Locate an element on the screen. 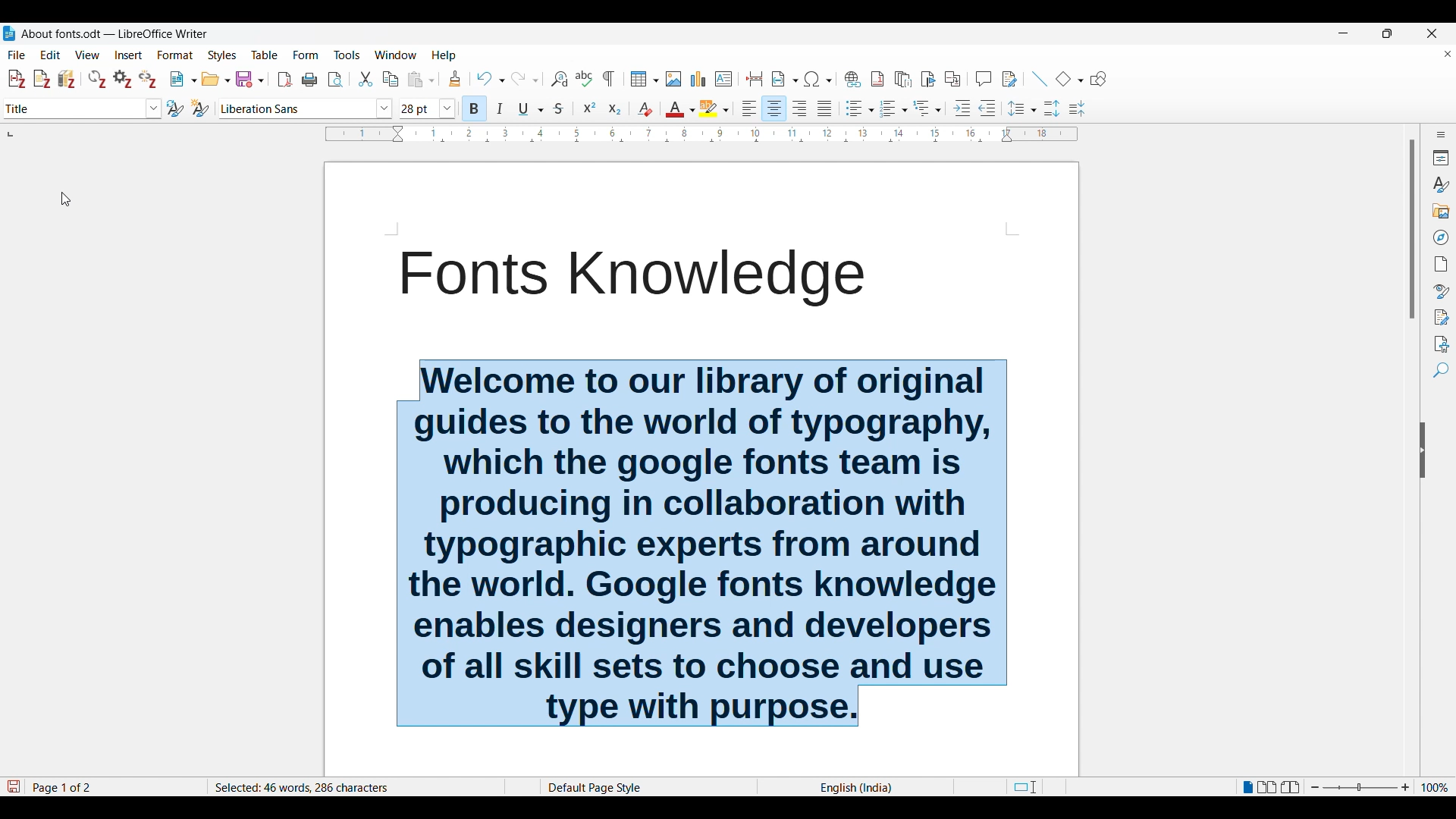 Image resolution: width=1456 pixels, height=819 pixels. Page is located at coordinates (1441, 264).